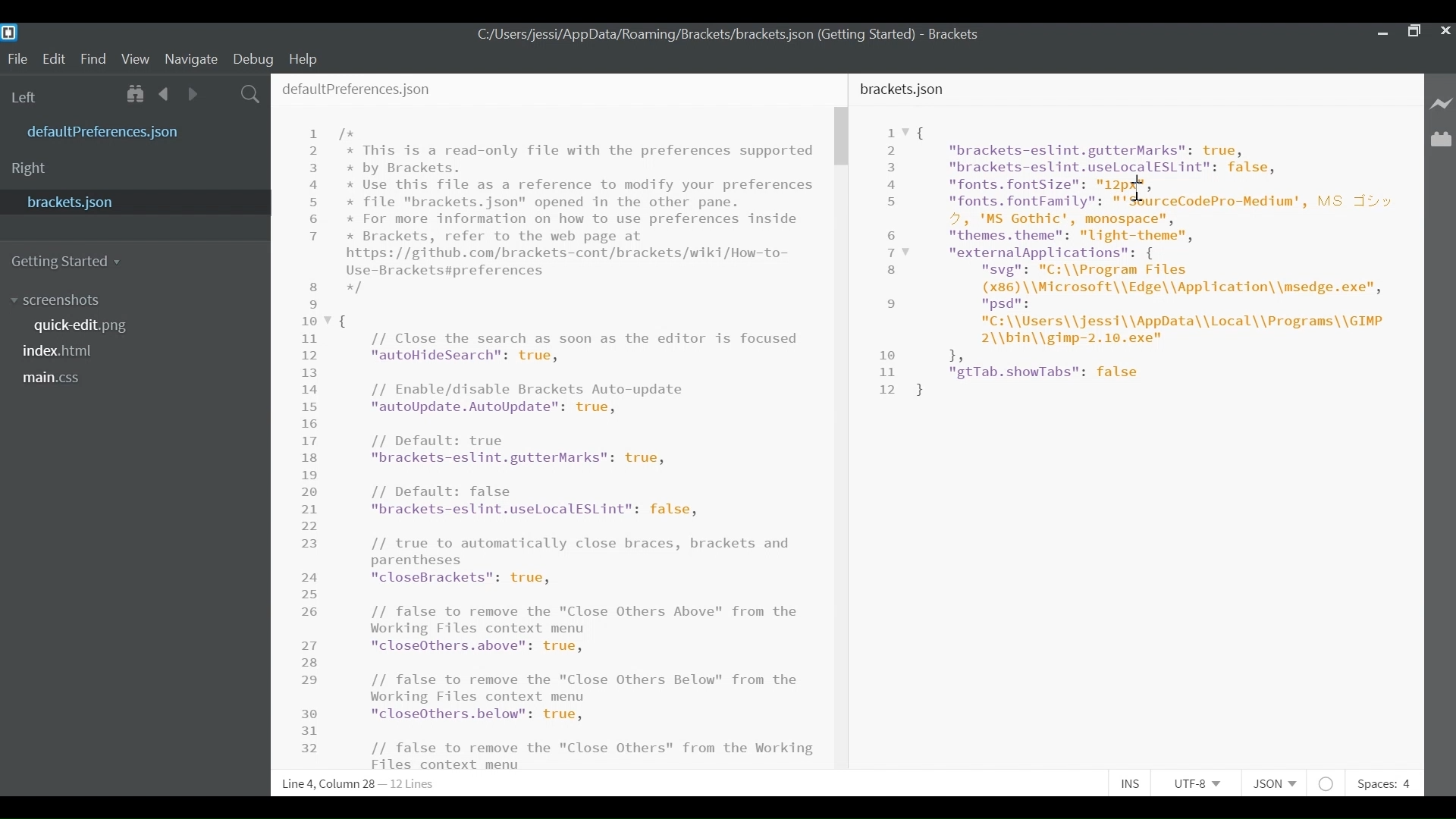 The height and width of the screenshot is (819, 1456). I want to click on Find, so click(96, 60).